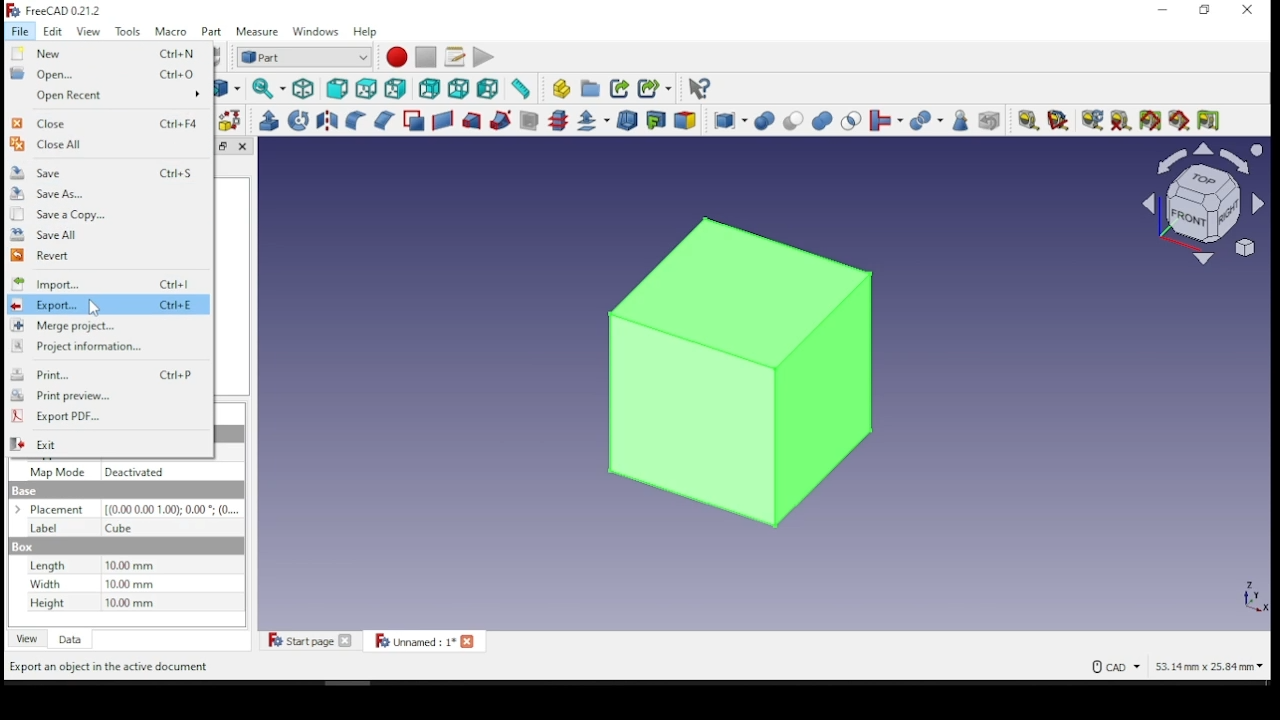 This screenshot has width=1280, height=720. I want to click on close all, so click(104, 145).